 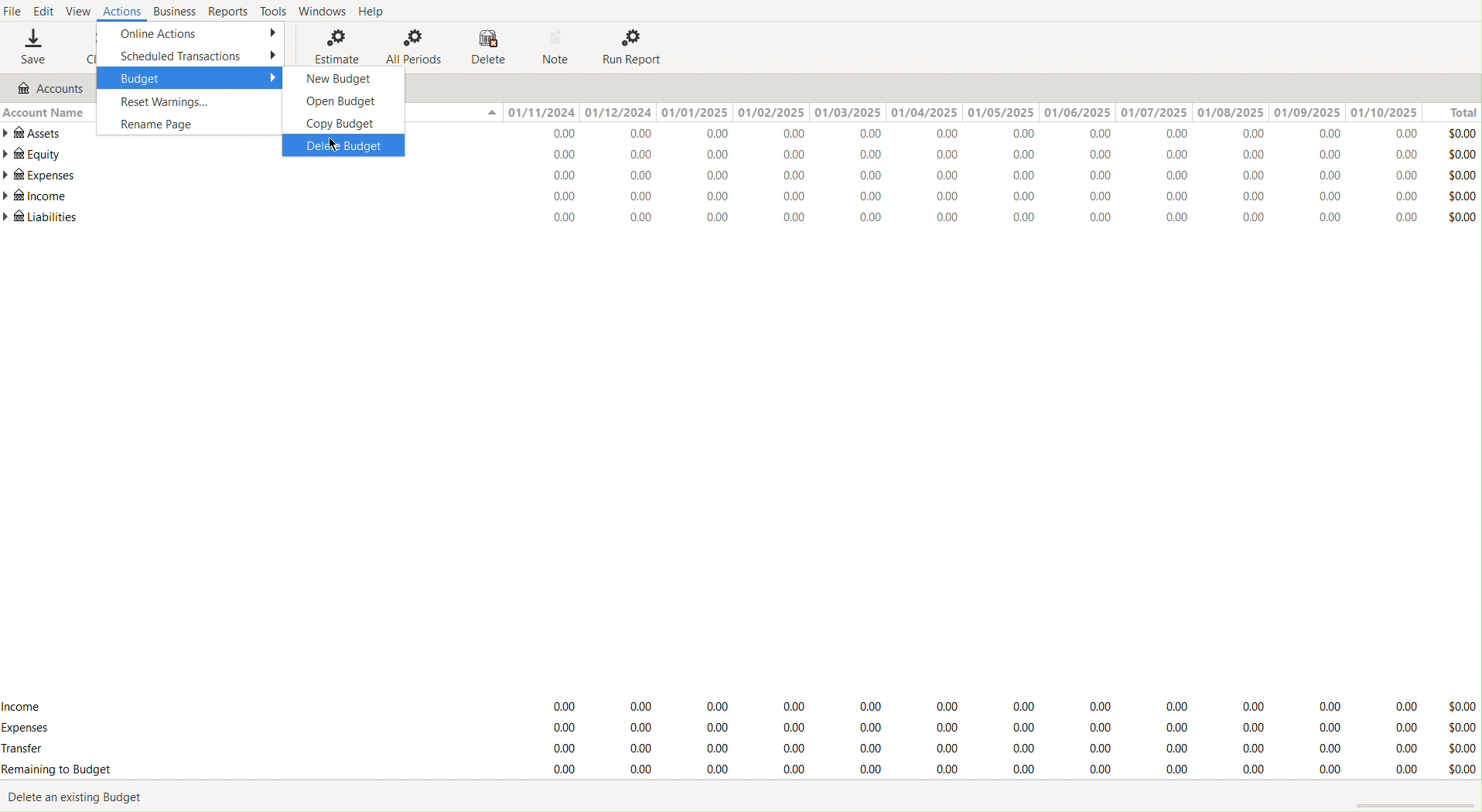 What do you see at coordinates (344, 125) in the screenshot?
I see `Copy Budget` at bounding box center [344, 125].